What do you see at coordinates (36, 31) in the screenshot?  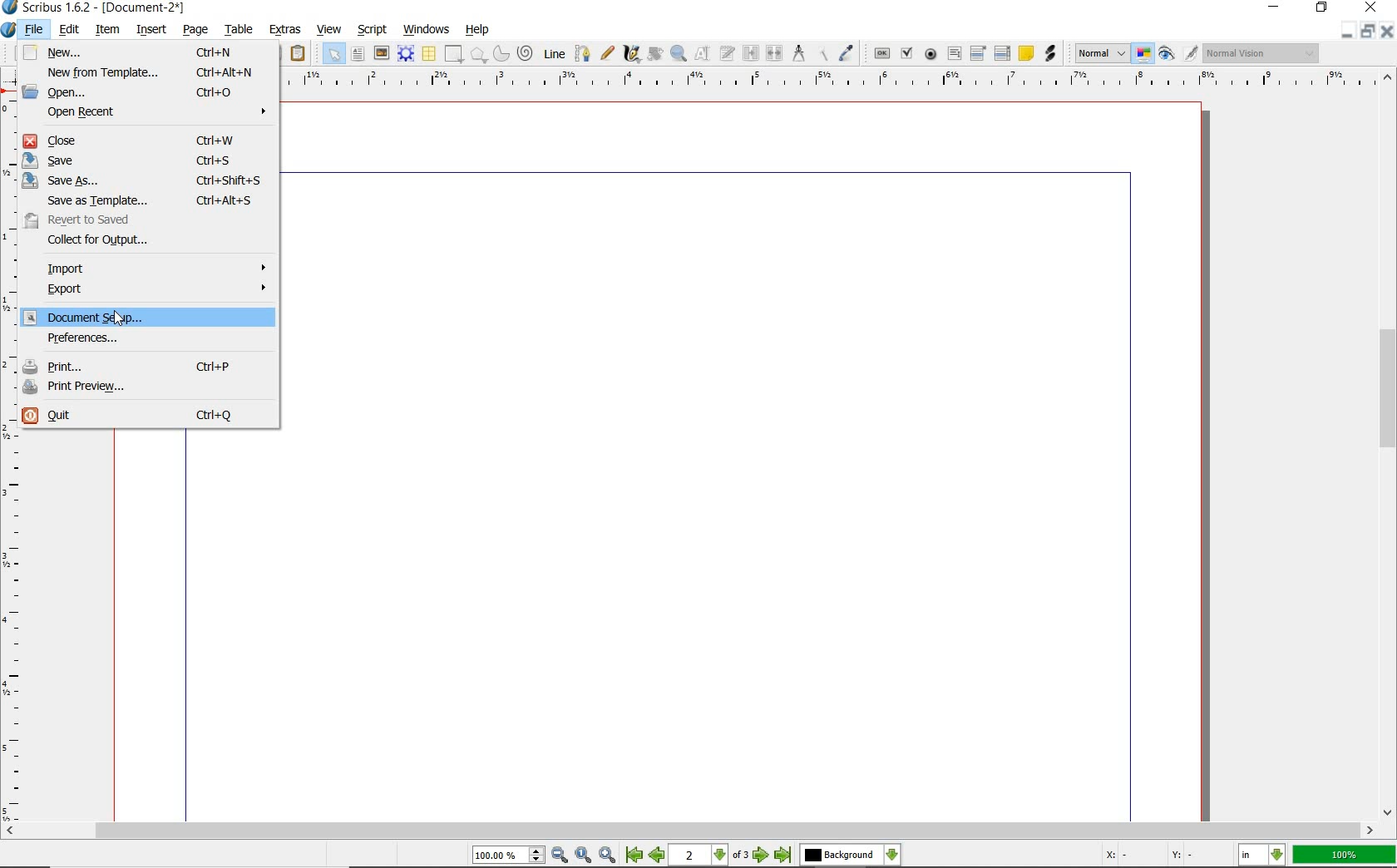 I see `file` at bounding box center [36, 31].